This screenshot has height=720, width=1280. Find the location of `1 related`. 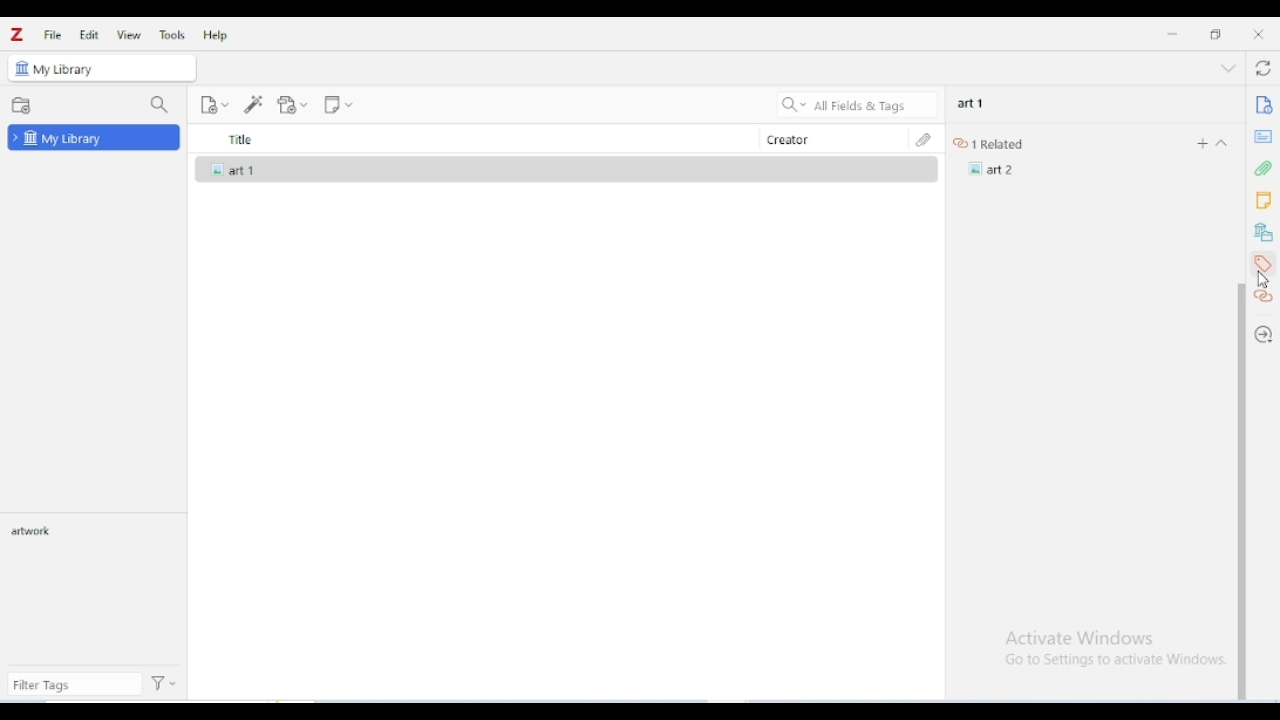

1 related is located at coordinates (992, 144).